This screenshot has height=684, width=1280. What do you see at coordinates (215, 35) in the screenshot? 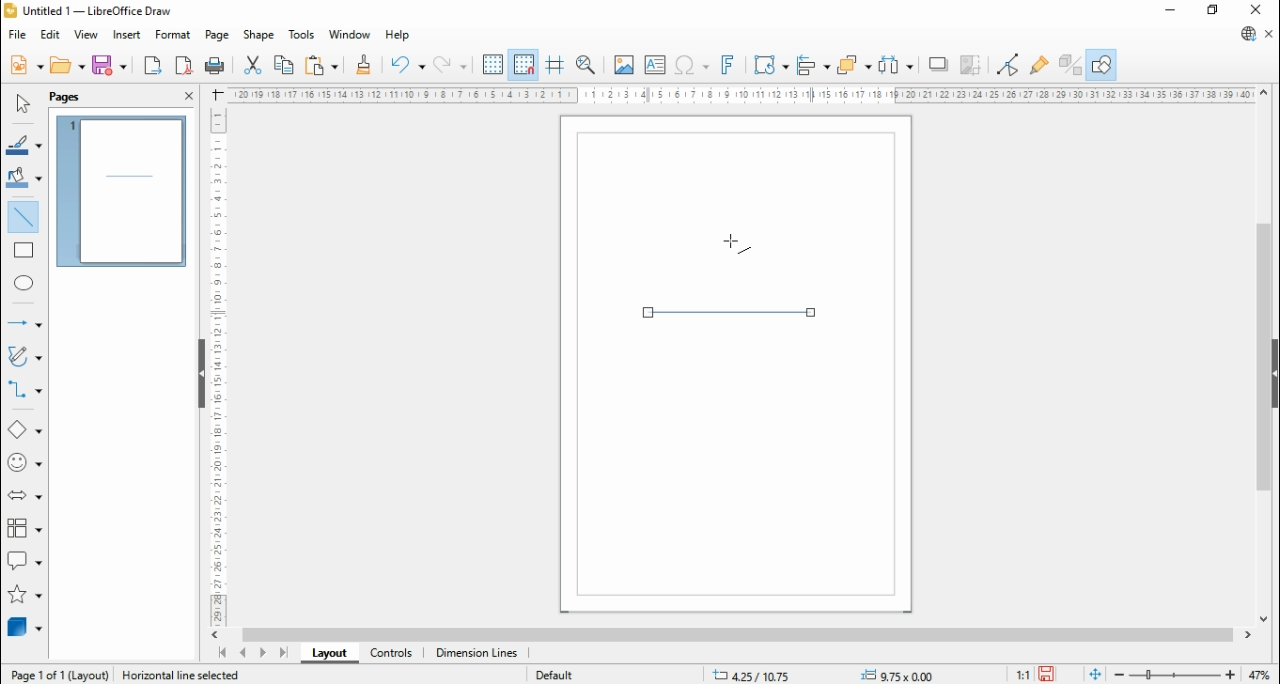
I see `page` at bounding box center [215, 35].